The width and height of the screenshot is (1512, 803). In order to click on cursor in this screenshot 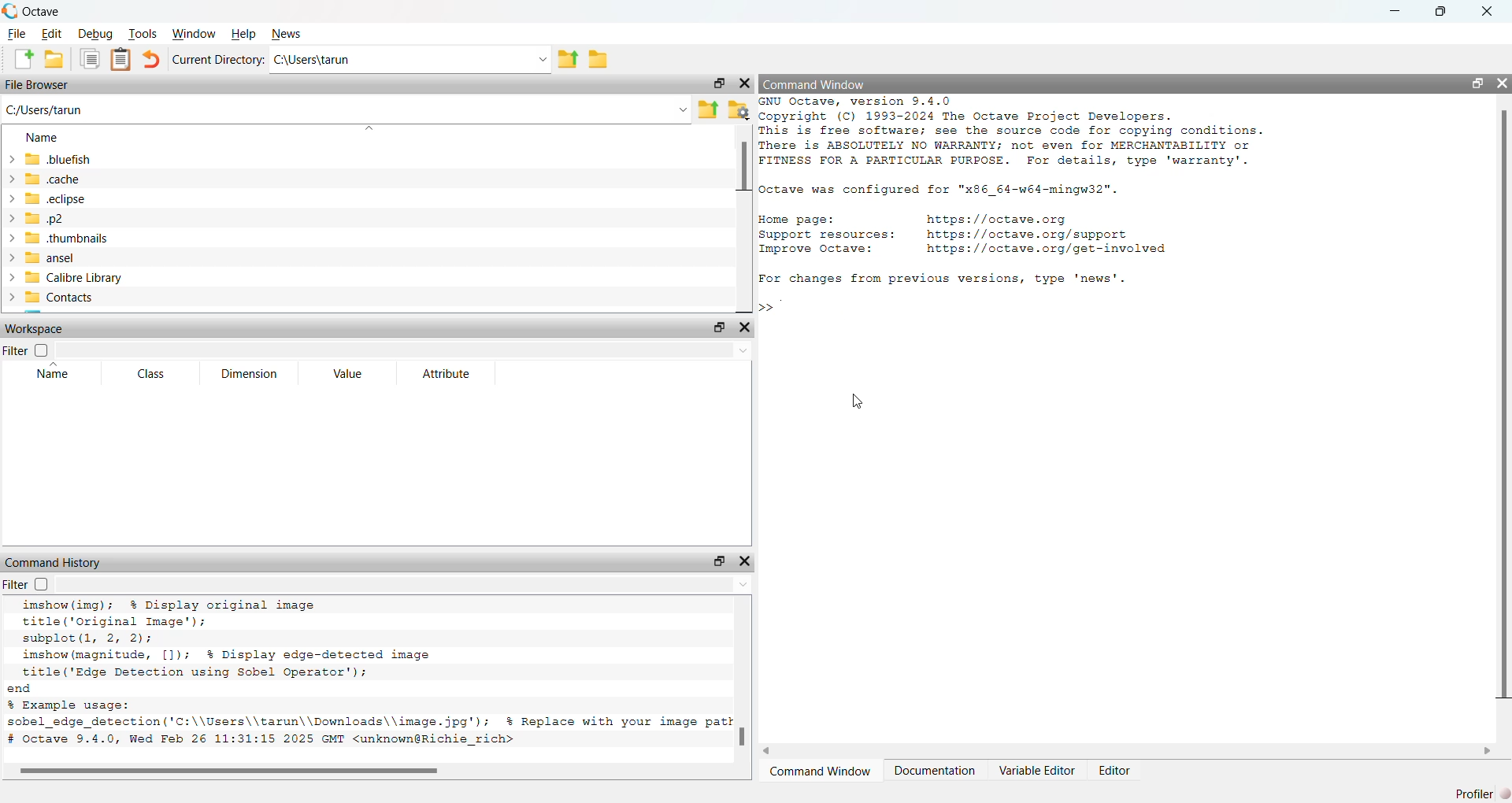, I will do `click(858, 403)`.